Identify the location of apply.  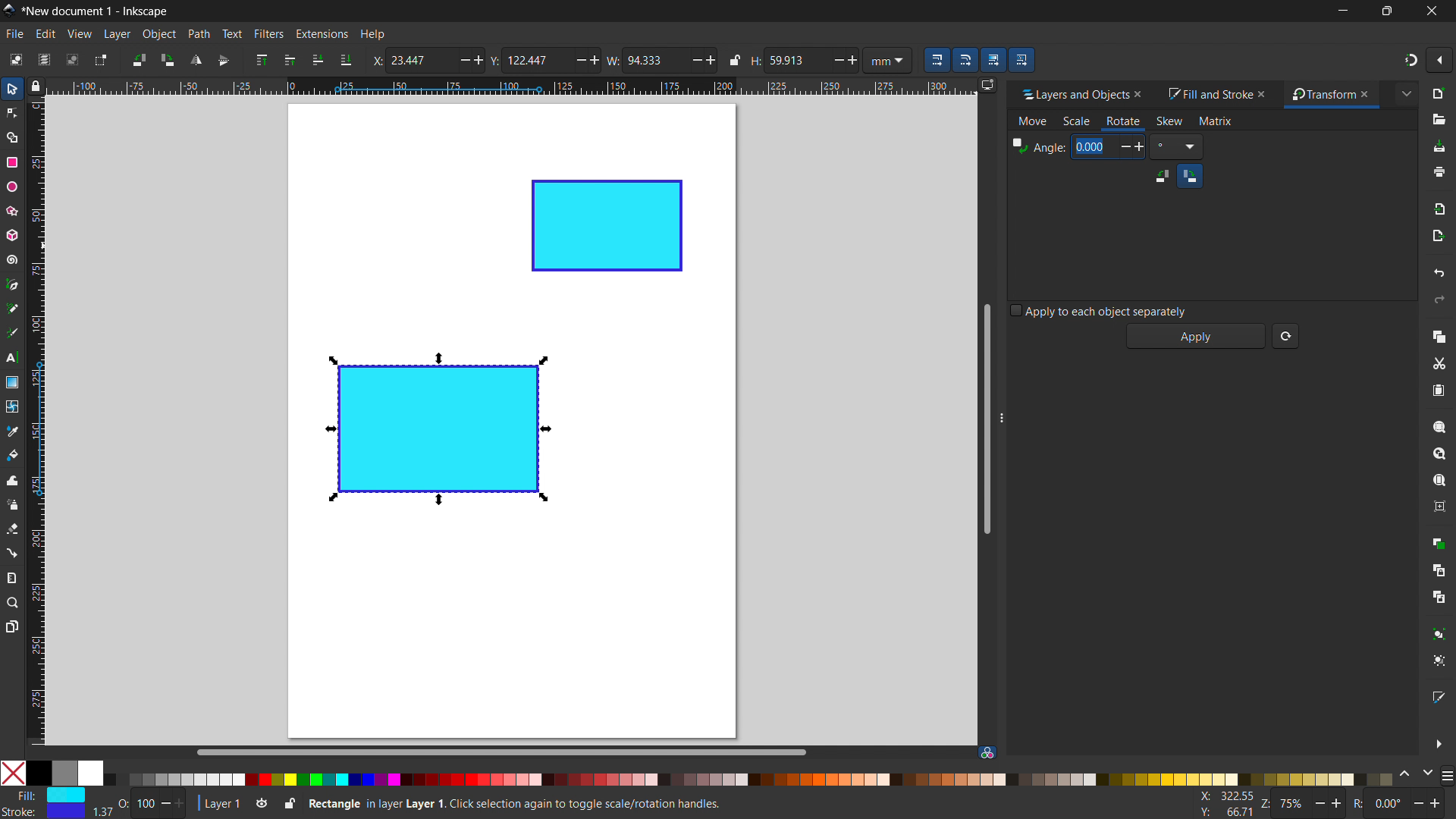
(1197, 337).